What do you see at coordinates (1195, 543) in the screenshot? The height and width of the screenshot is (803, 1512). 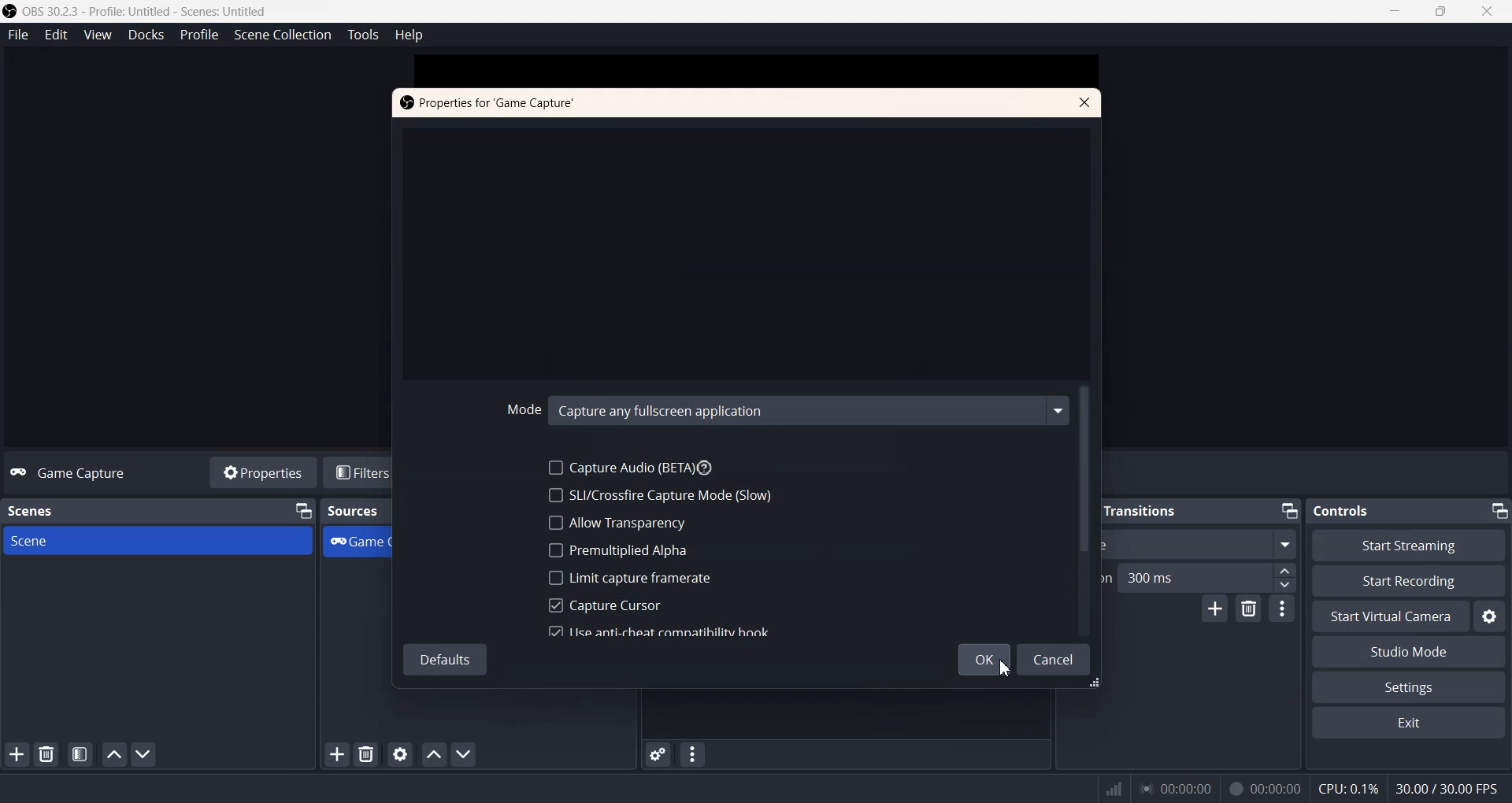 I see `Swipe` at bounding box center [1195, 543].